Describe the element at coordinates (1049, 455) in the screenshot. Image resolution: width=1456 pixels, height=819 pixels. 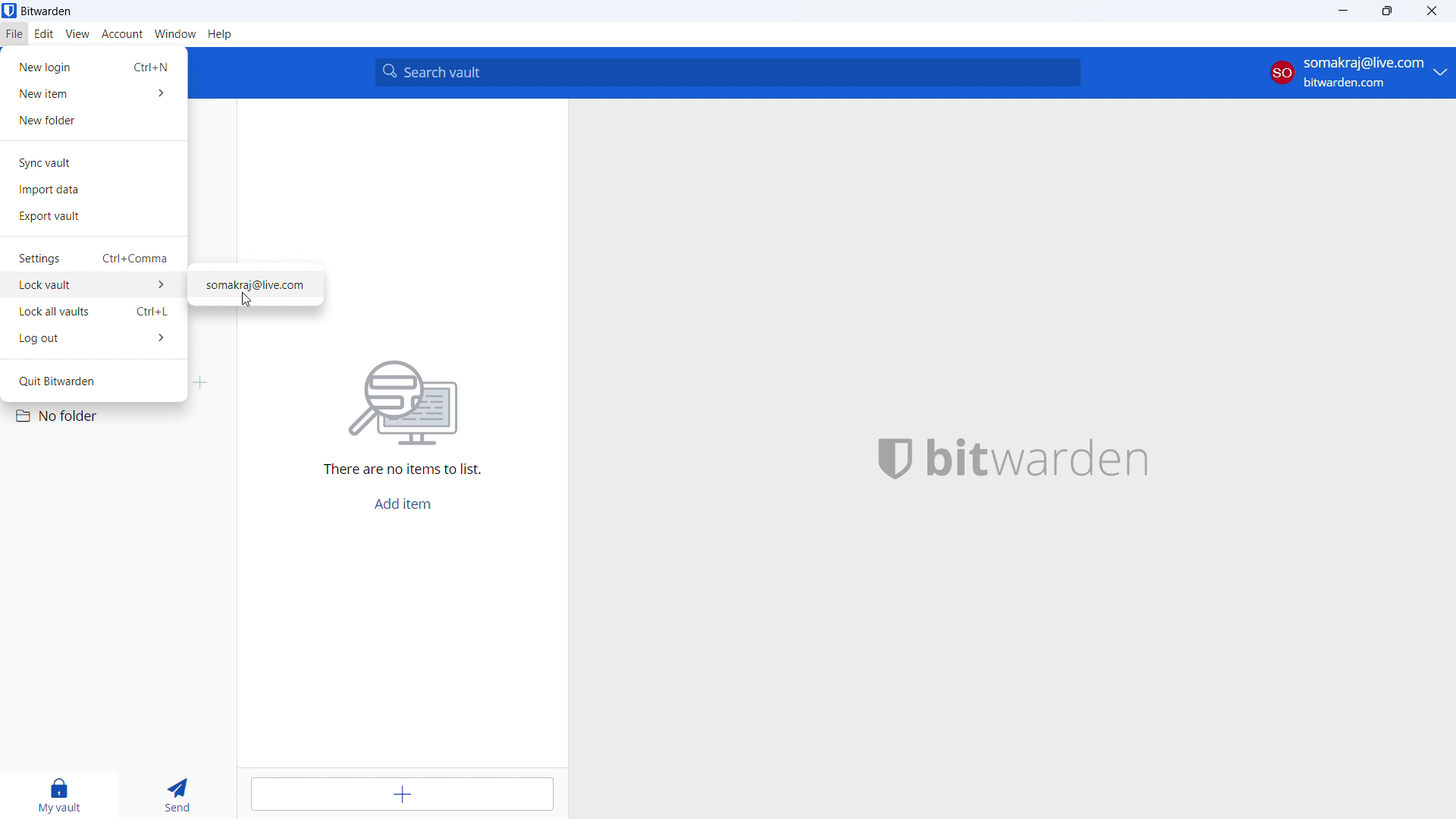
I see `bitwarden` at that location.